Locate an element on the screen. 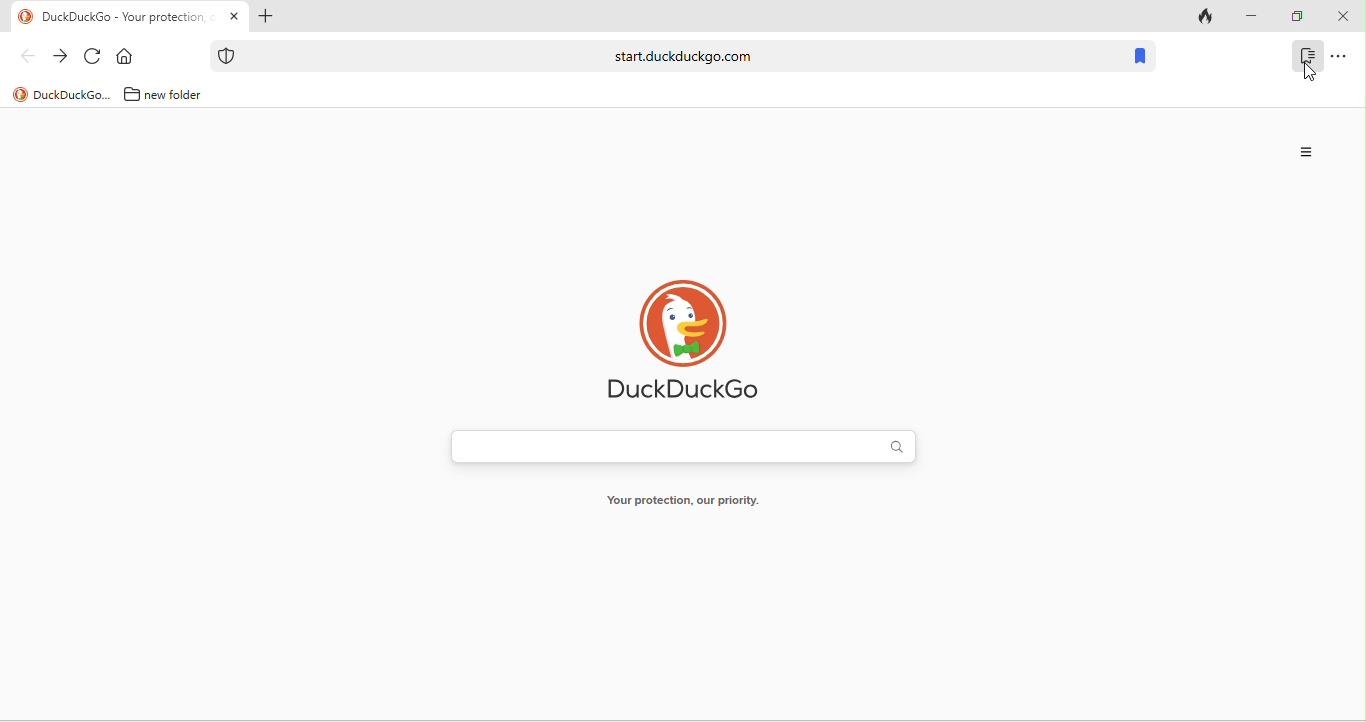 The height and width of the screenshot is (722, 1366). icon is located at coordinates (20, 95).